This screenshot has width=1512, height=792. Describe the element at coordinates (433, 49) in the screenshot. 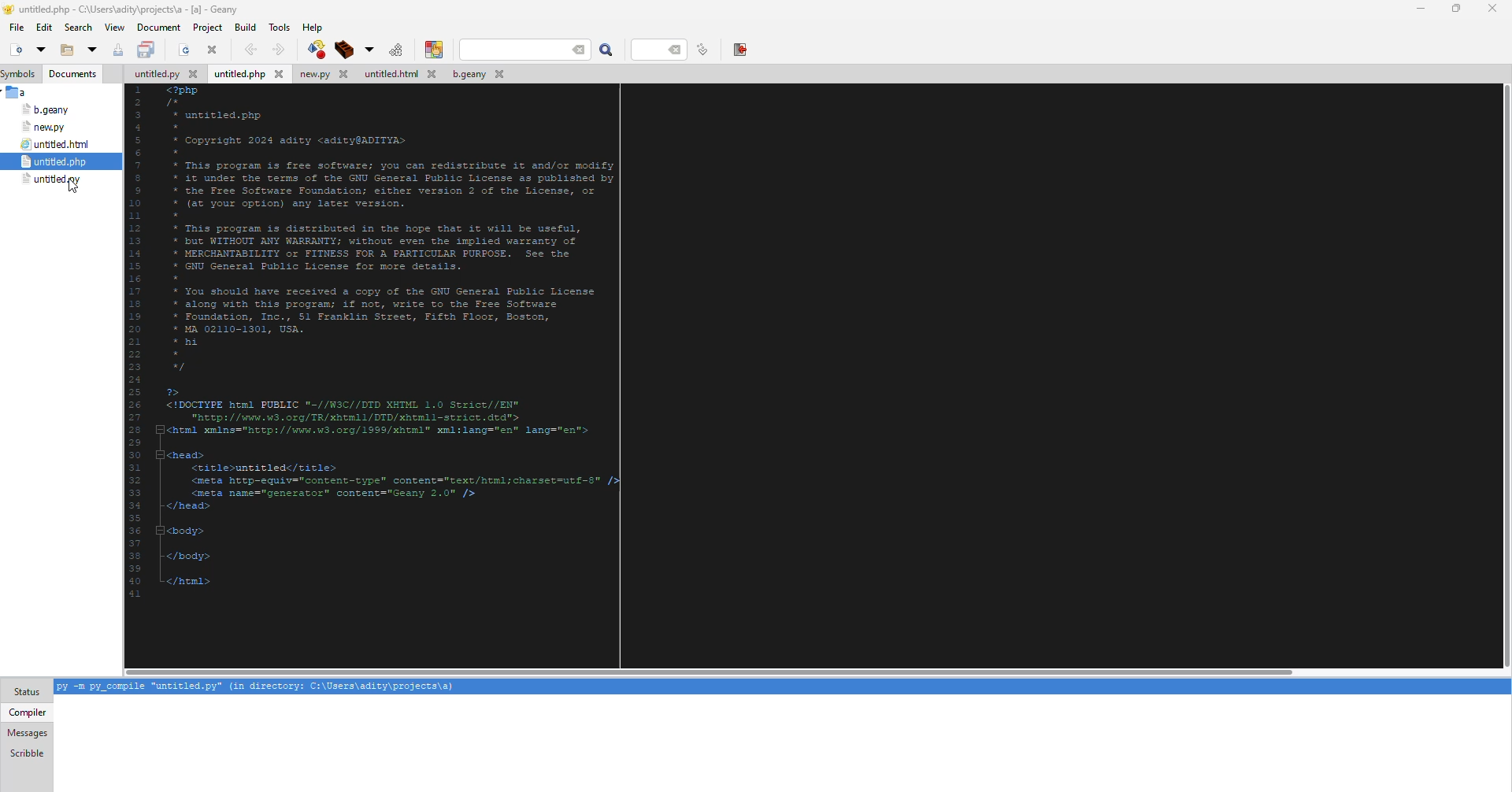

I see `color` at that location.